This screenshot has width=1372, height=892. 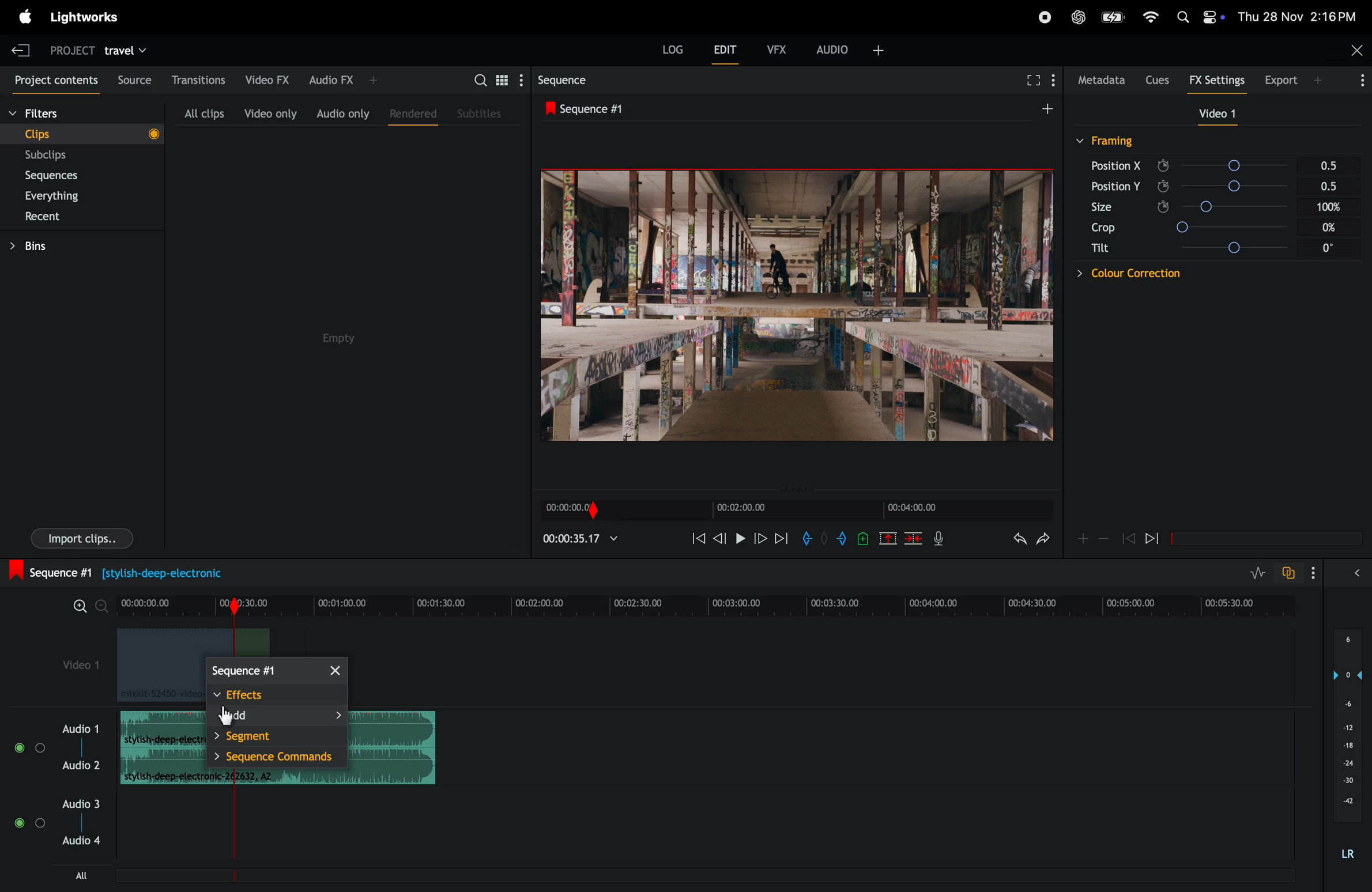 What do you see at coordinates (1128, 538) in the screenshot?
I see `jump to previous key frame` at bounding box center [1128, 538].